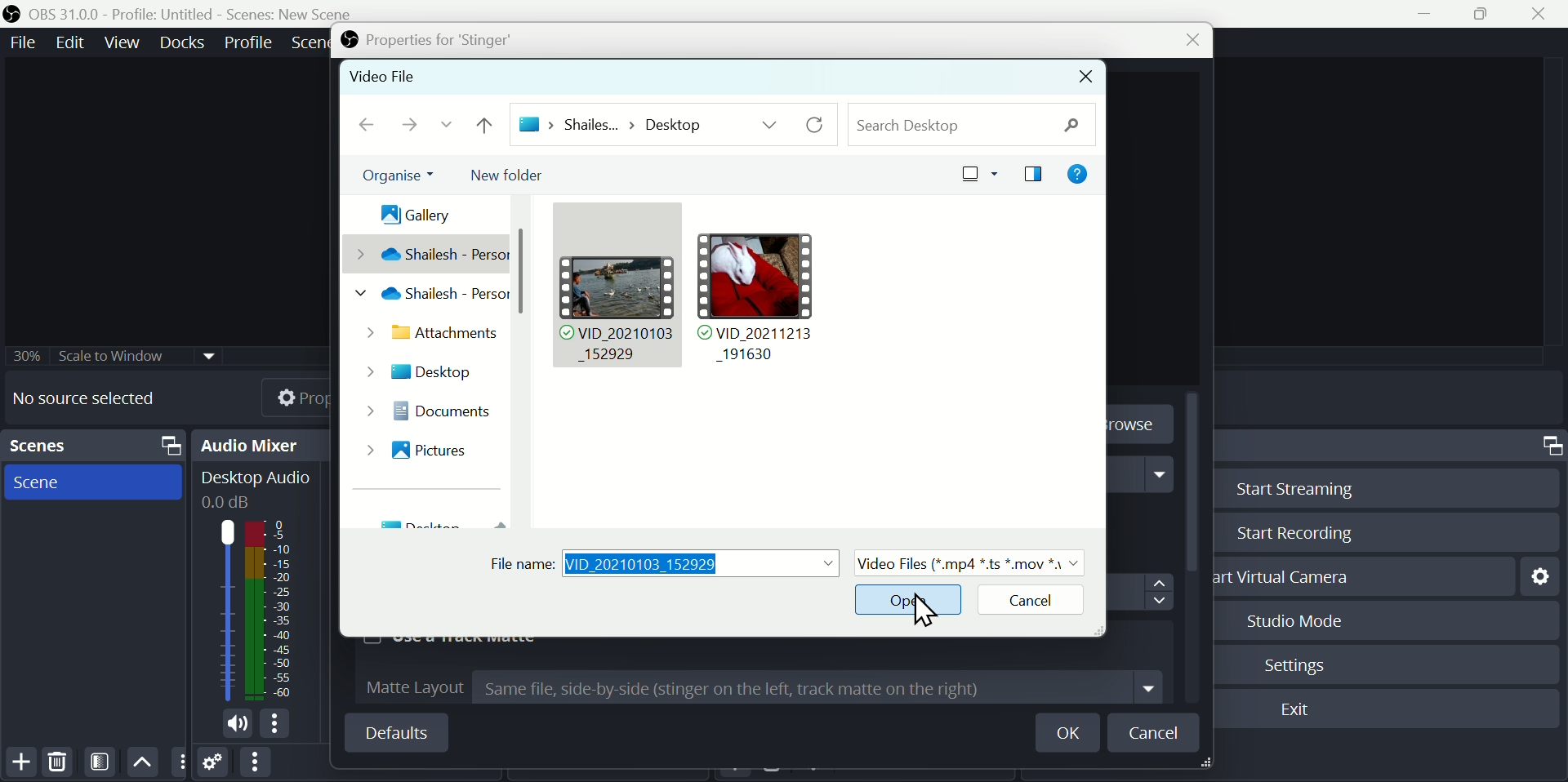 The width and height of the screenshot is (1568, 782). Describe the element at coordinates (1291, 535) in the screenshot. I see `Start recording` at that location.